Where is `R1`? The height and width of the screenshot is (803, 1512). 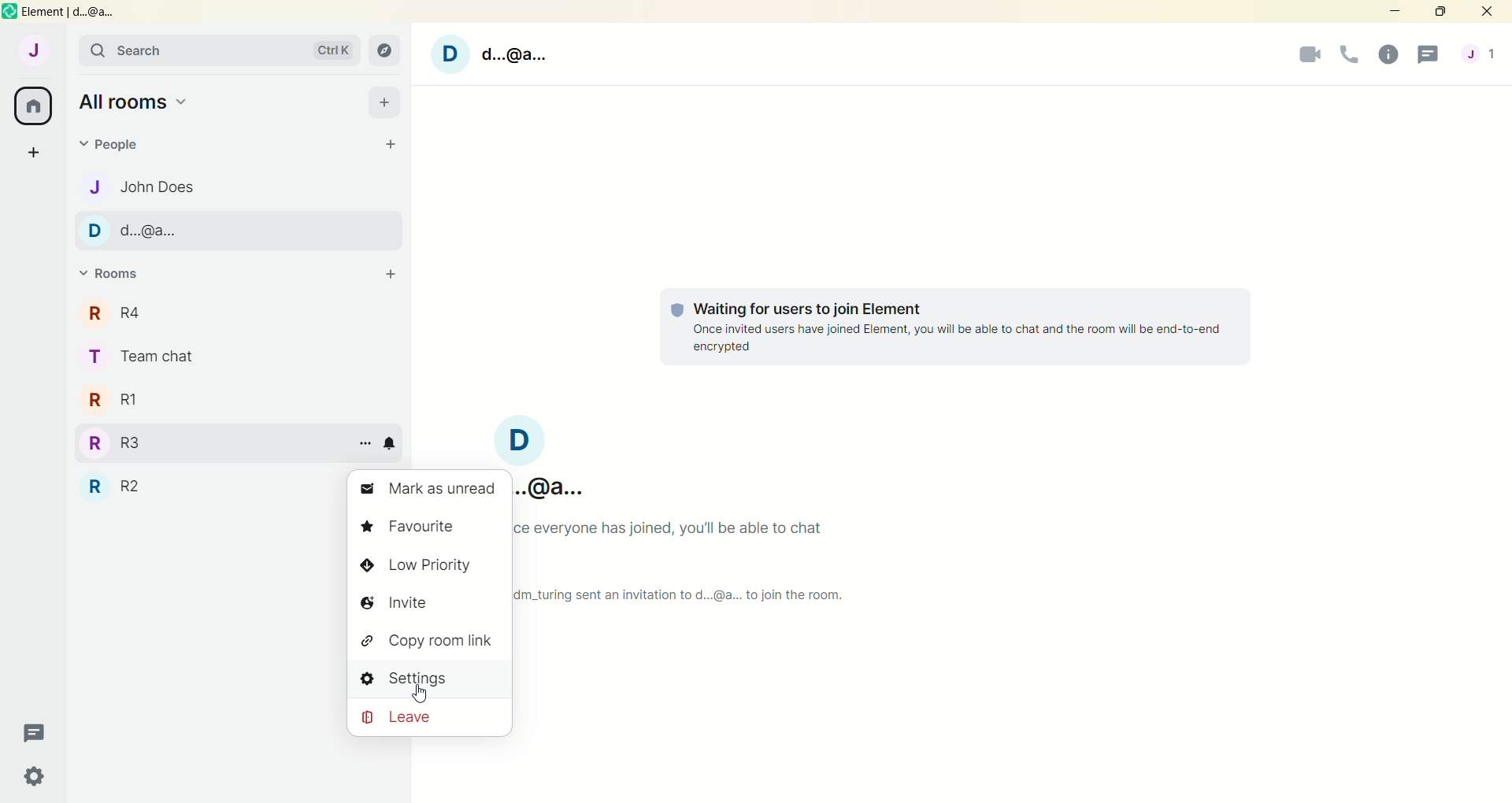
R1 is located at coordinates (235, 398).